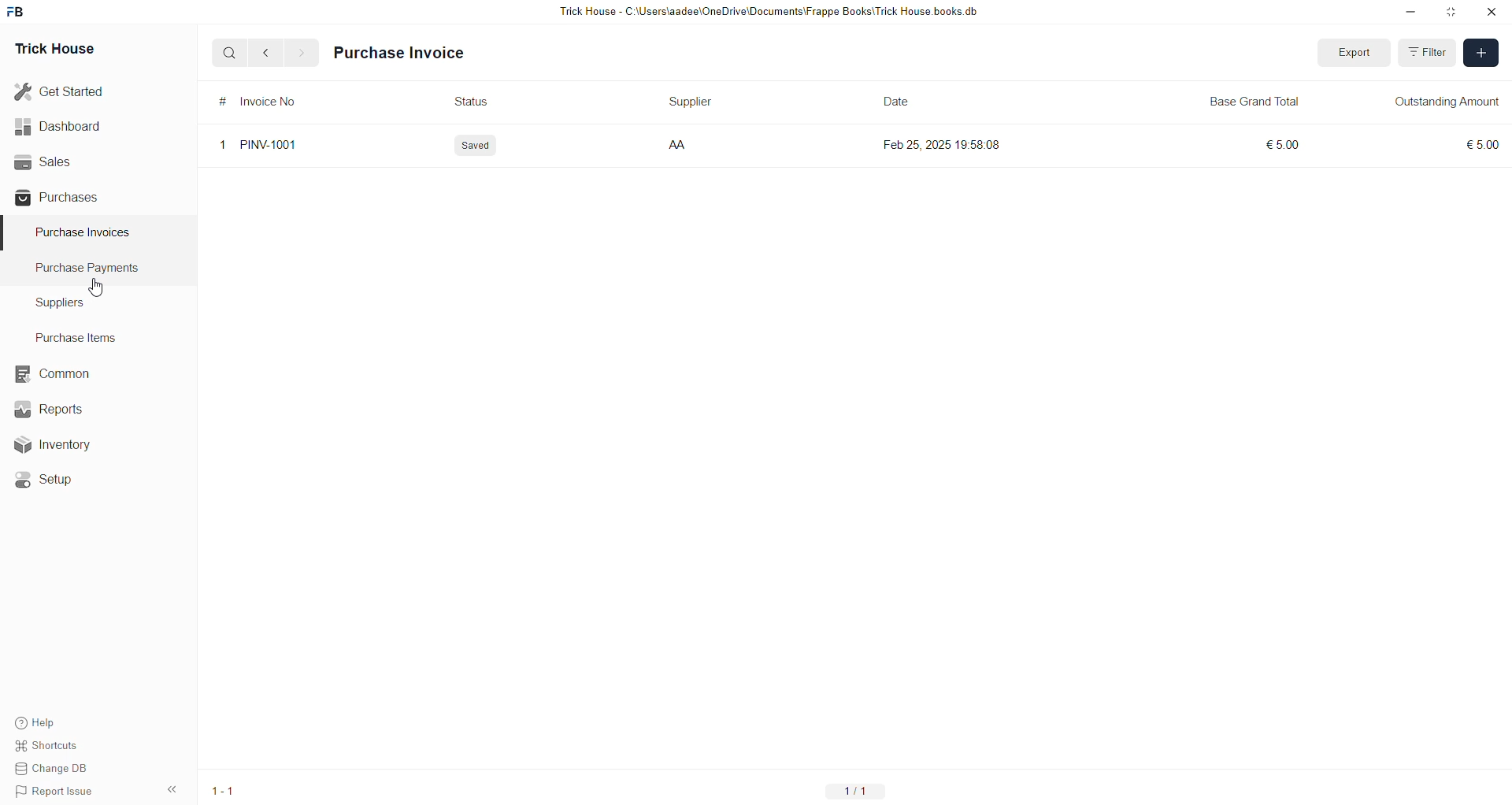 The height and width of the screenshot is (805, 1512). What do you see at coordinates (51, 767) in the screenshot?
I see `Change DB` at bounding box center [51, 767].